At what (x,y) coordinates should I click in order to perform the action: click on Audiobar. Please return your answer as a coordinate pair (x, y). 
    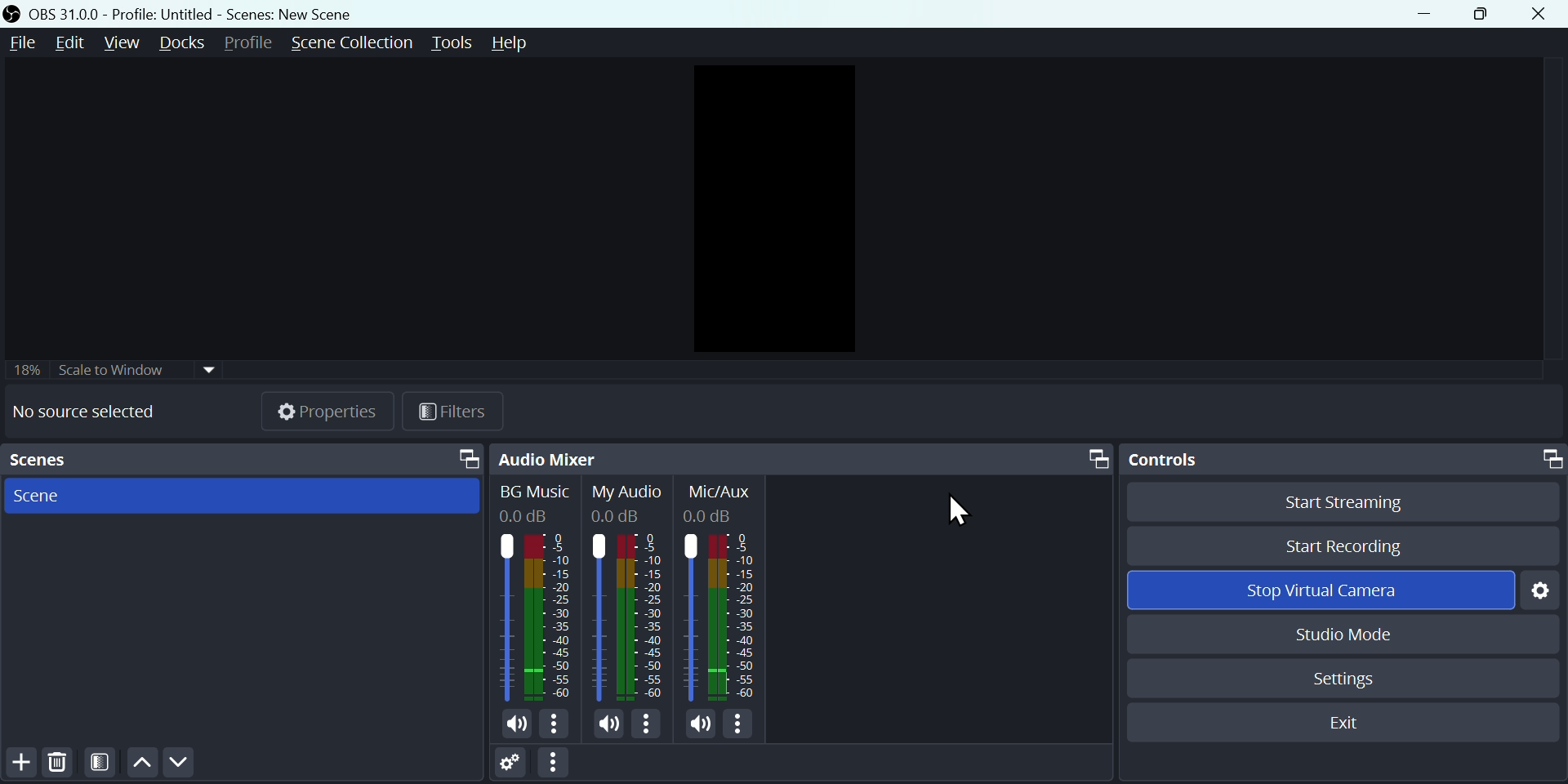
    Looking at the image, I should click on (628, 610).